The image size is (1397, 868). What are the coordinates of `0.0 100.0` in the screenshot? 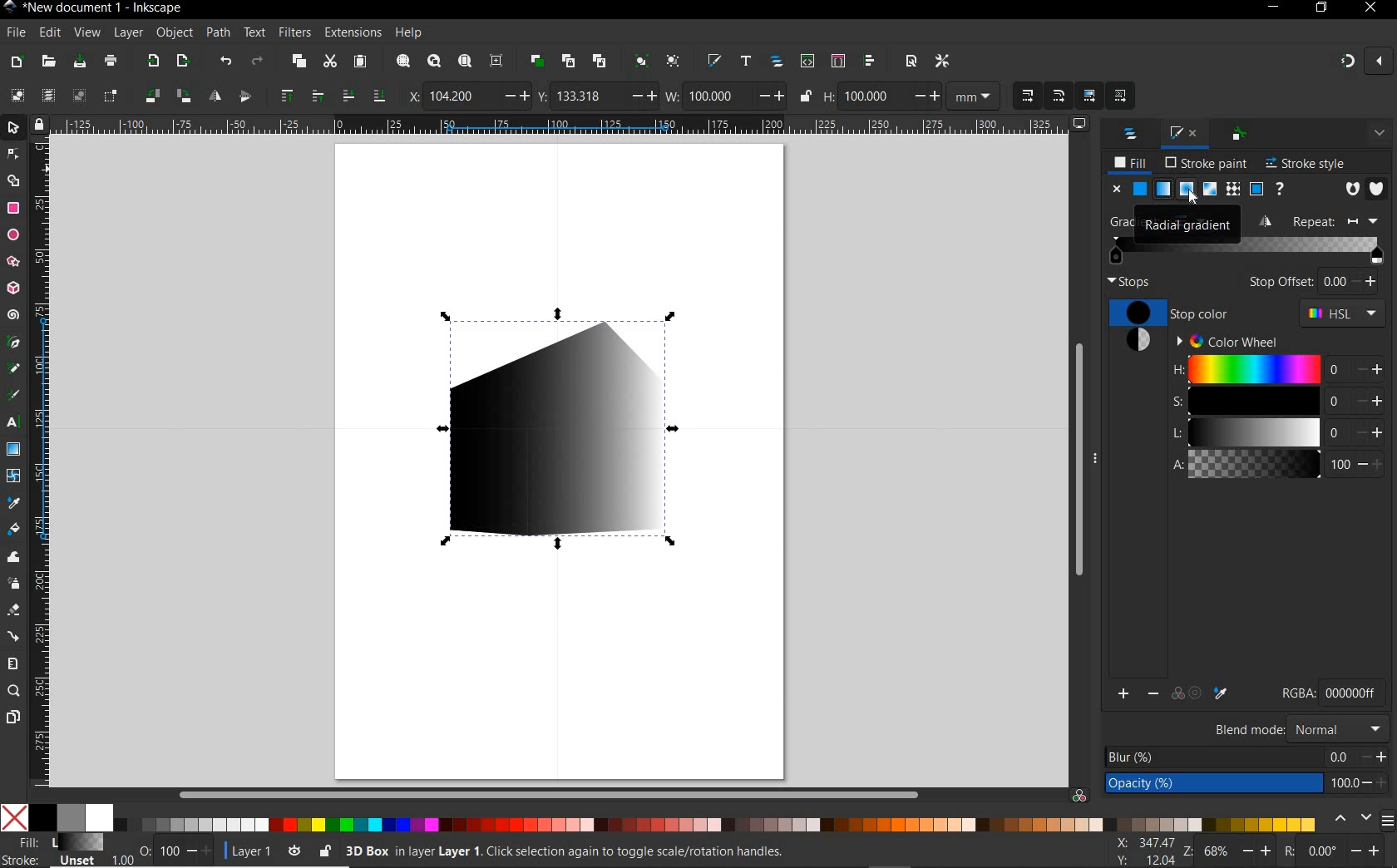 It's located at (1342, 772).